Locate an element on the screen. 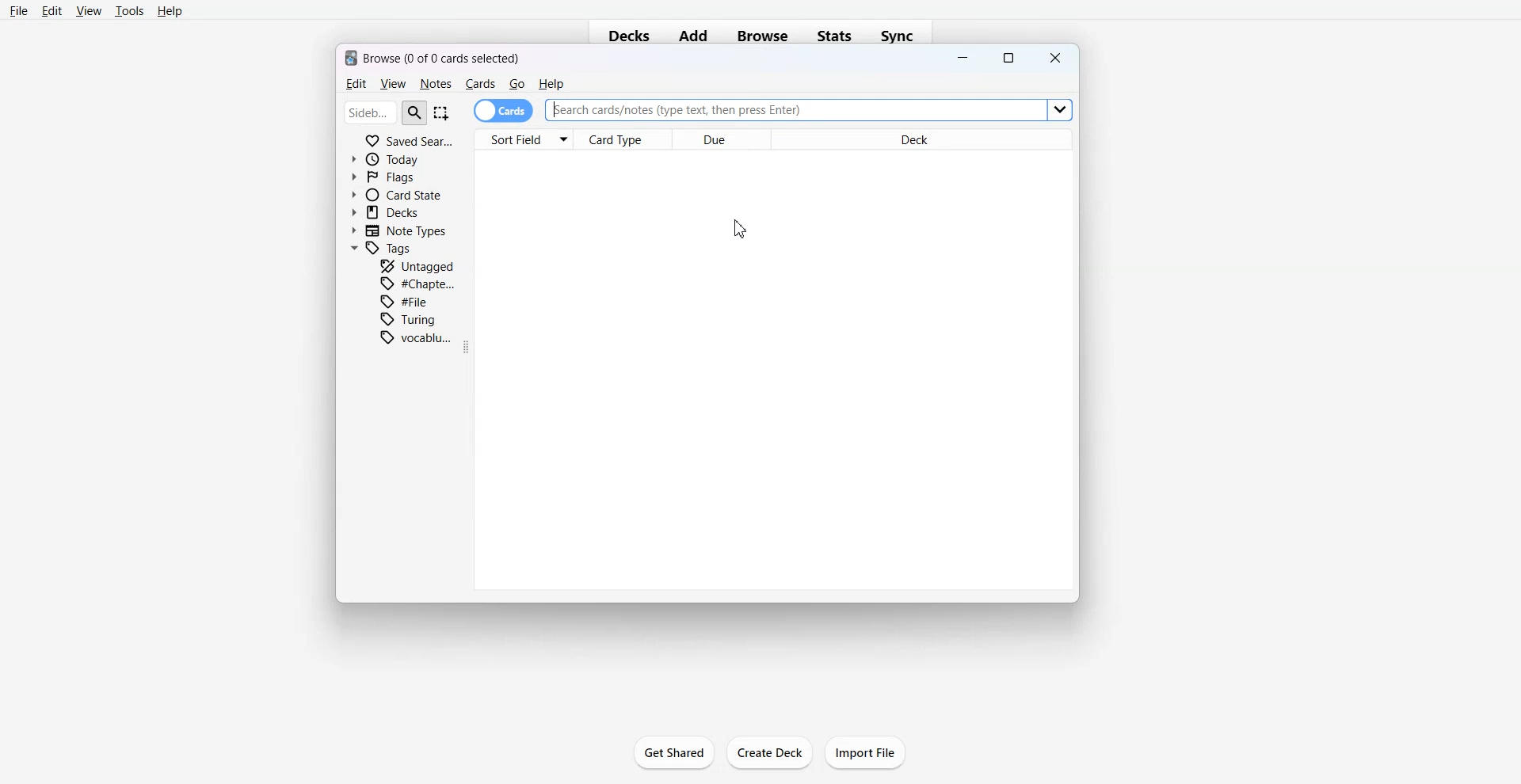 The image size is (1521, 784). Tags is located at coordinates (383, 249).